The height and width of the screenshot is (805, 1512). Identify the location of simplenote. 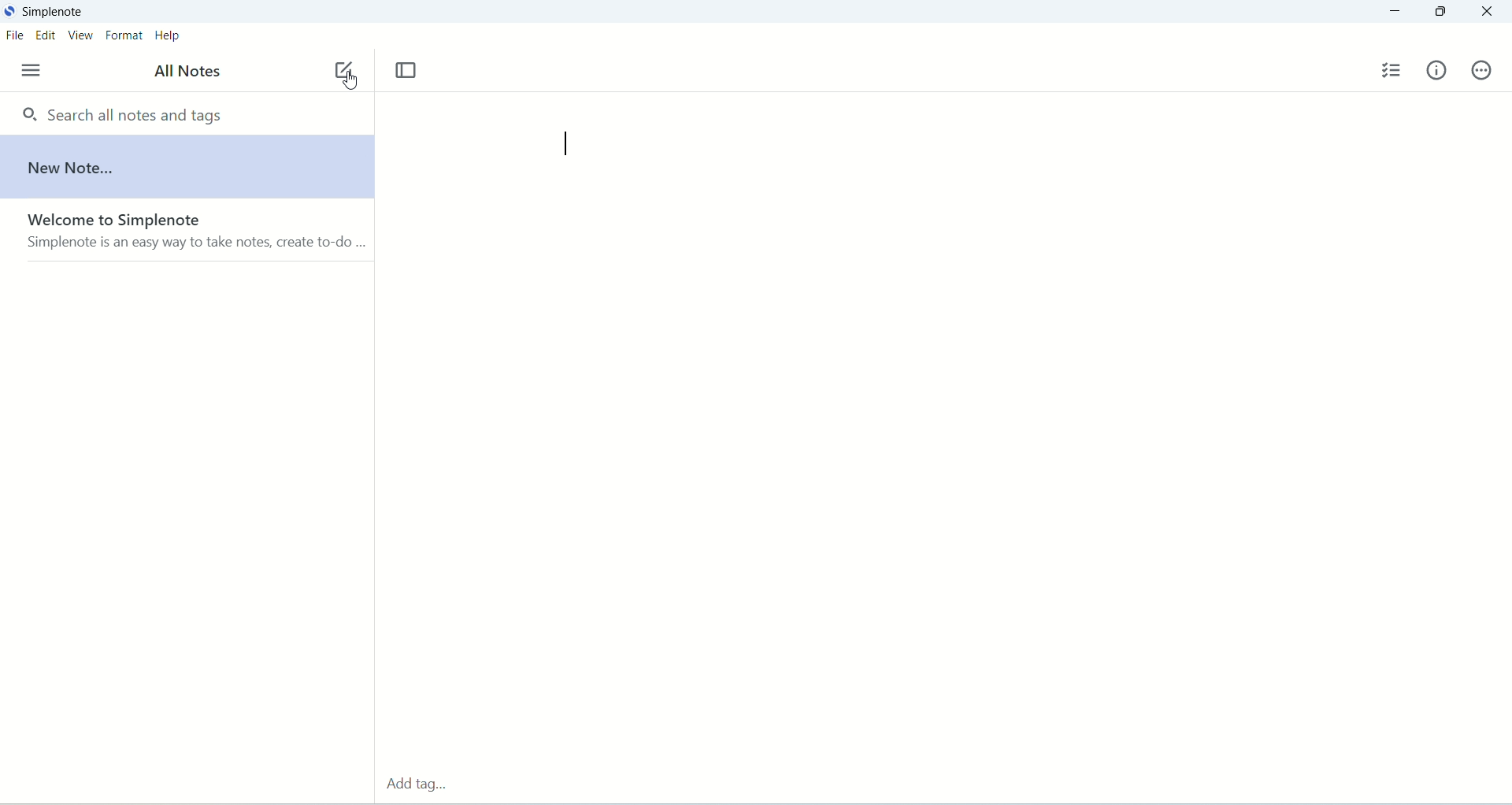
(54, 12).